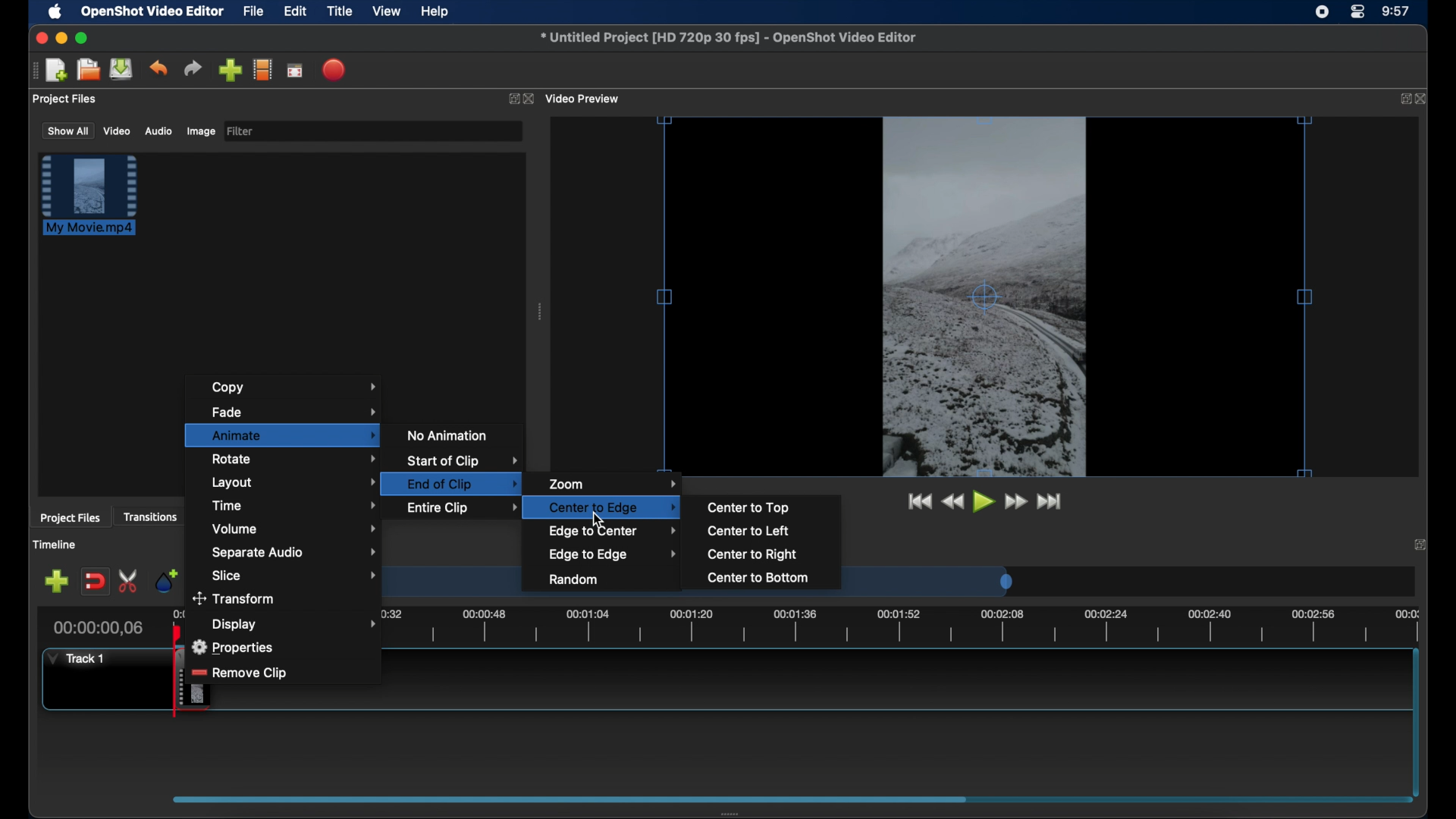 Image resolution: width=1456 pixels, height=819 pixels. I want to click on full screen, so click(296, 70).